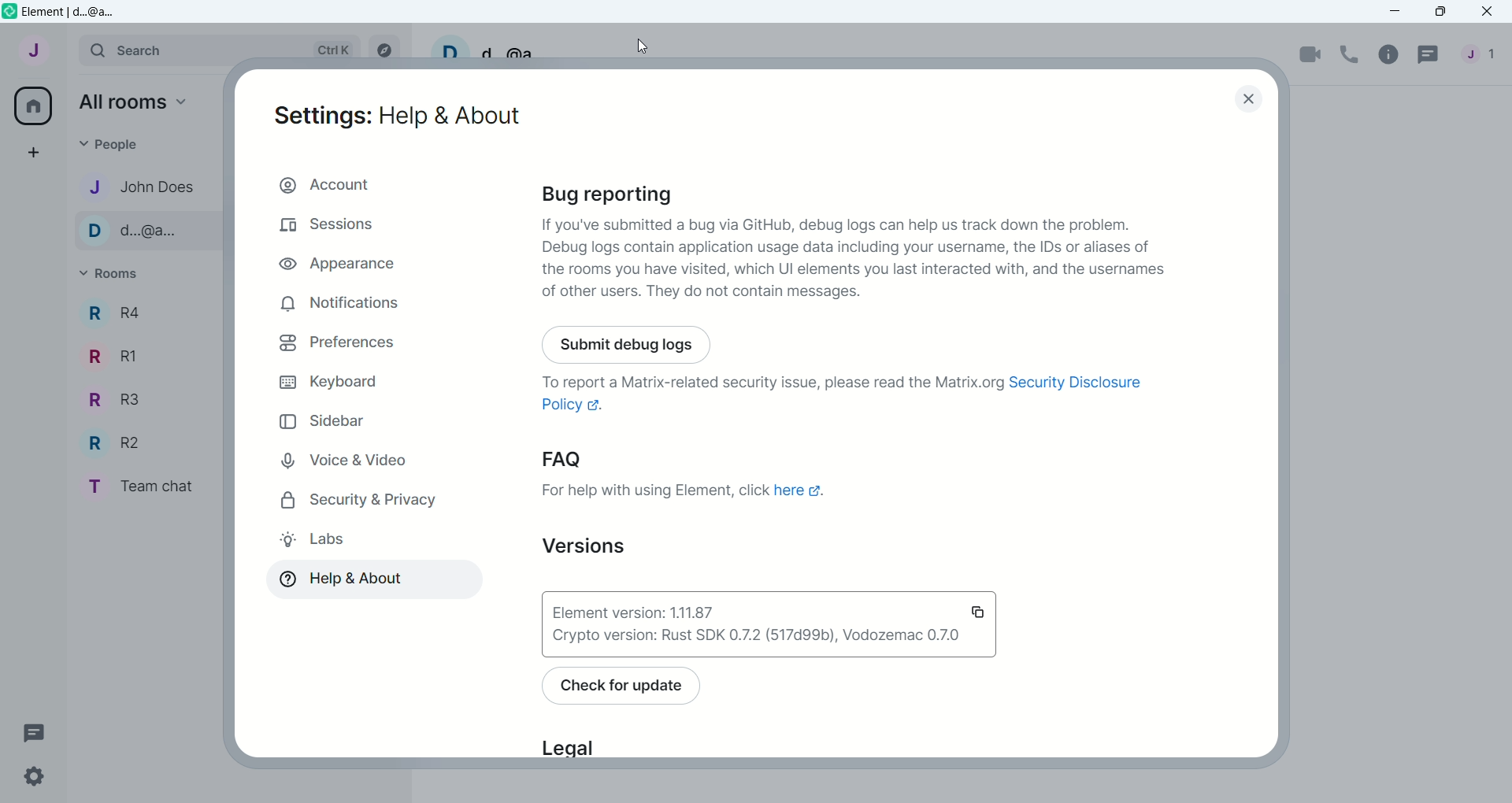 The width and height of the screenshot is (1512, 803). What do you see at coordinates (1079, 383) in the screenshot?
I see `security disclosure policy` at bounding box center [1079, 383].